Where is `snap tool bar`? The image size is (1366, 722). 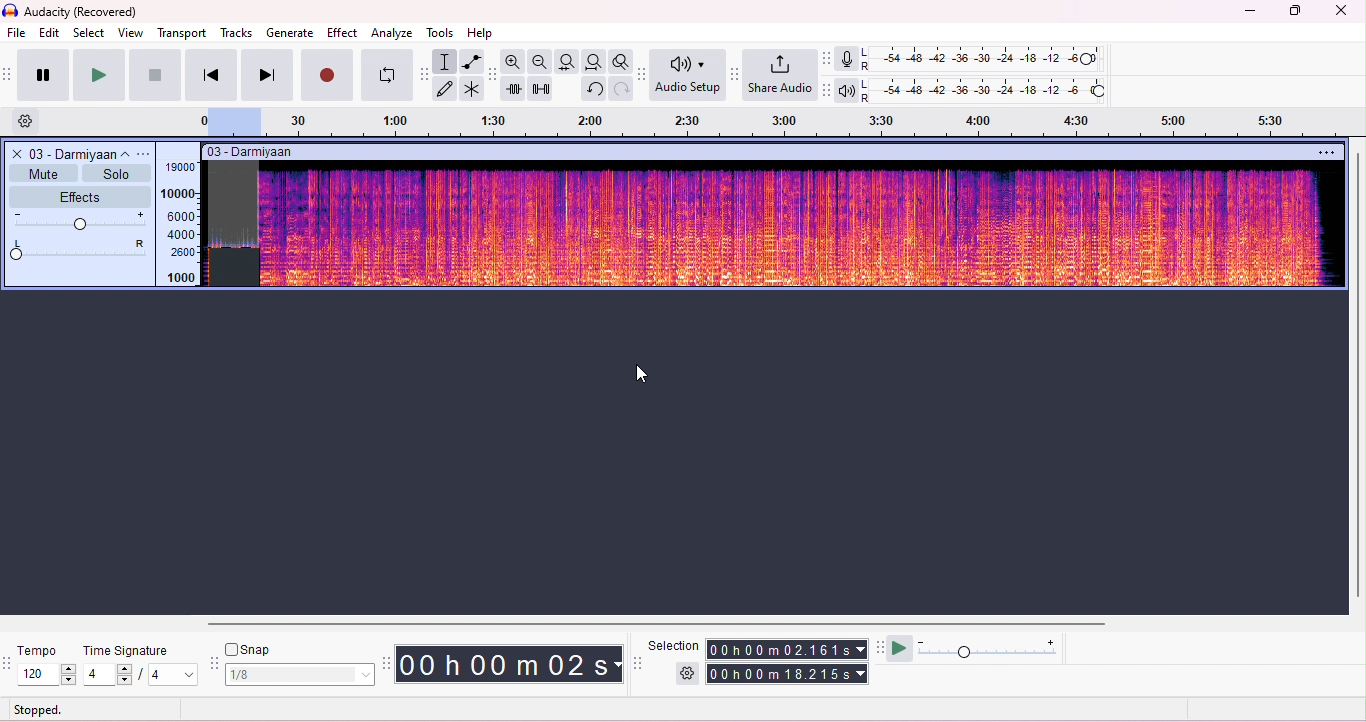 snap tool bar is located at coordinates (215, 661).